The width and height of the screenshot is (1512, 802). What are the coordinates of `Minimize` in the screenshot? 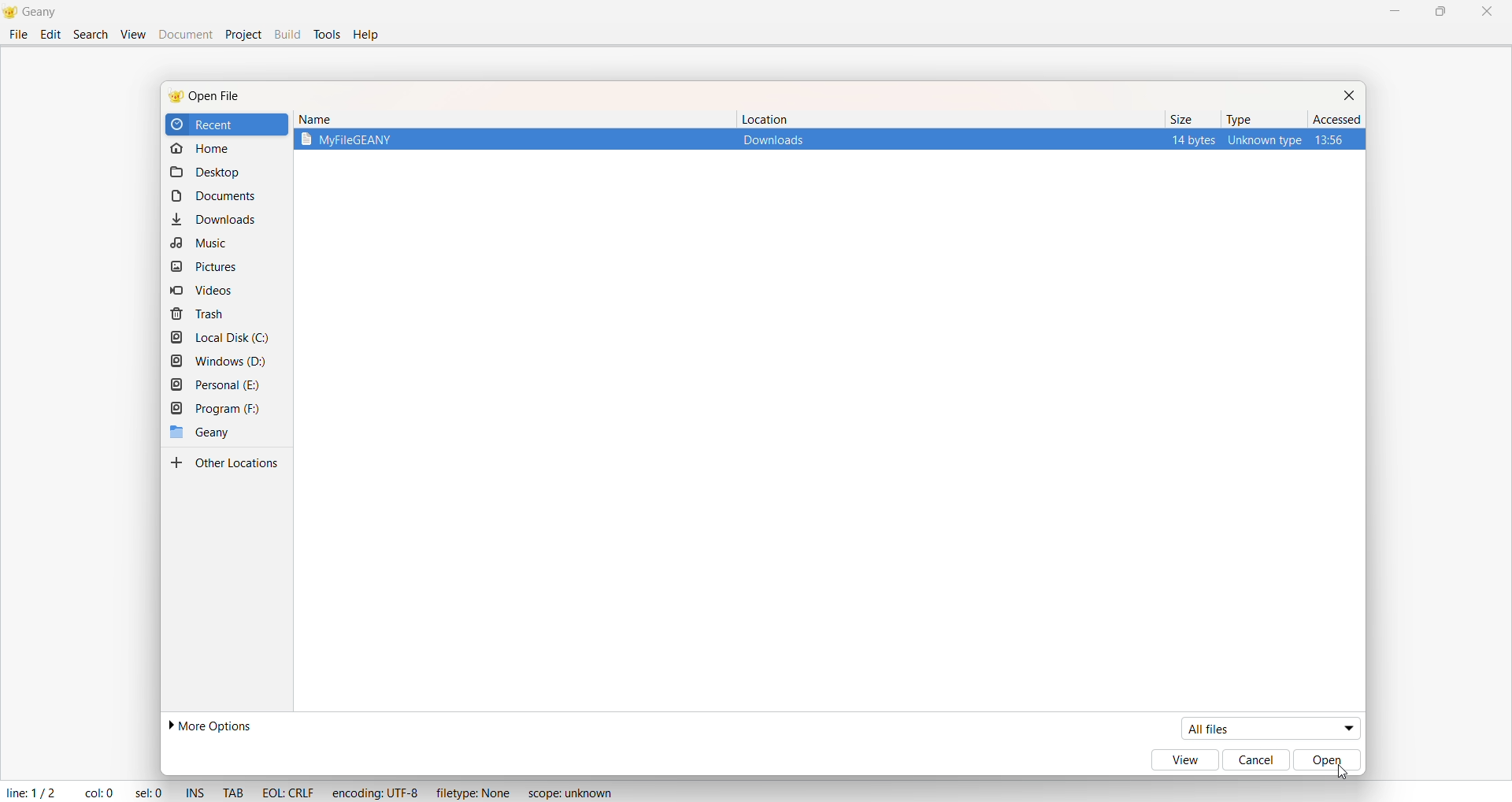 It's located at (1391, 12).